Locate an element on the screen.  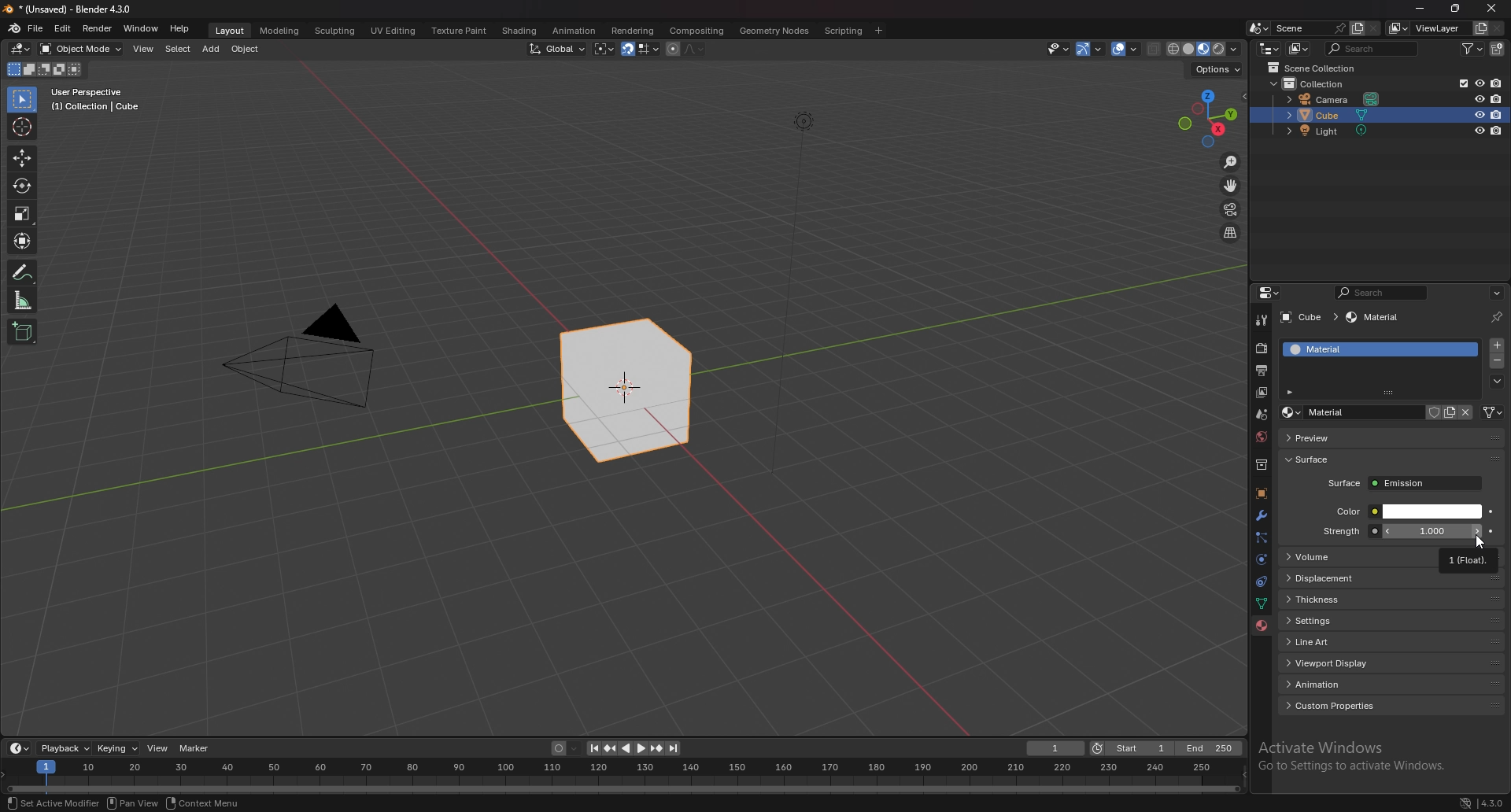
editor type is located at coordinates (20, 49).